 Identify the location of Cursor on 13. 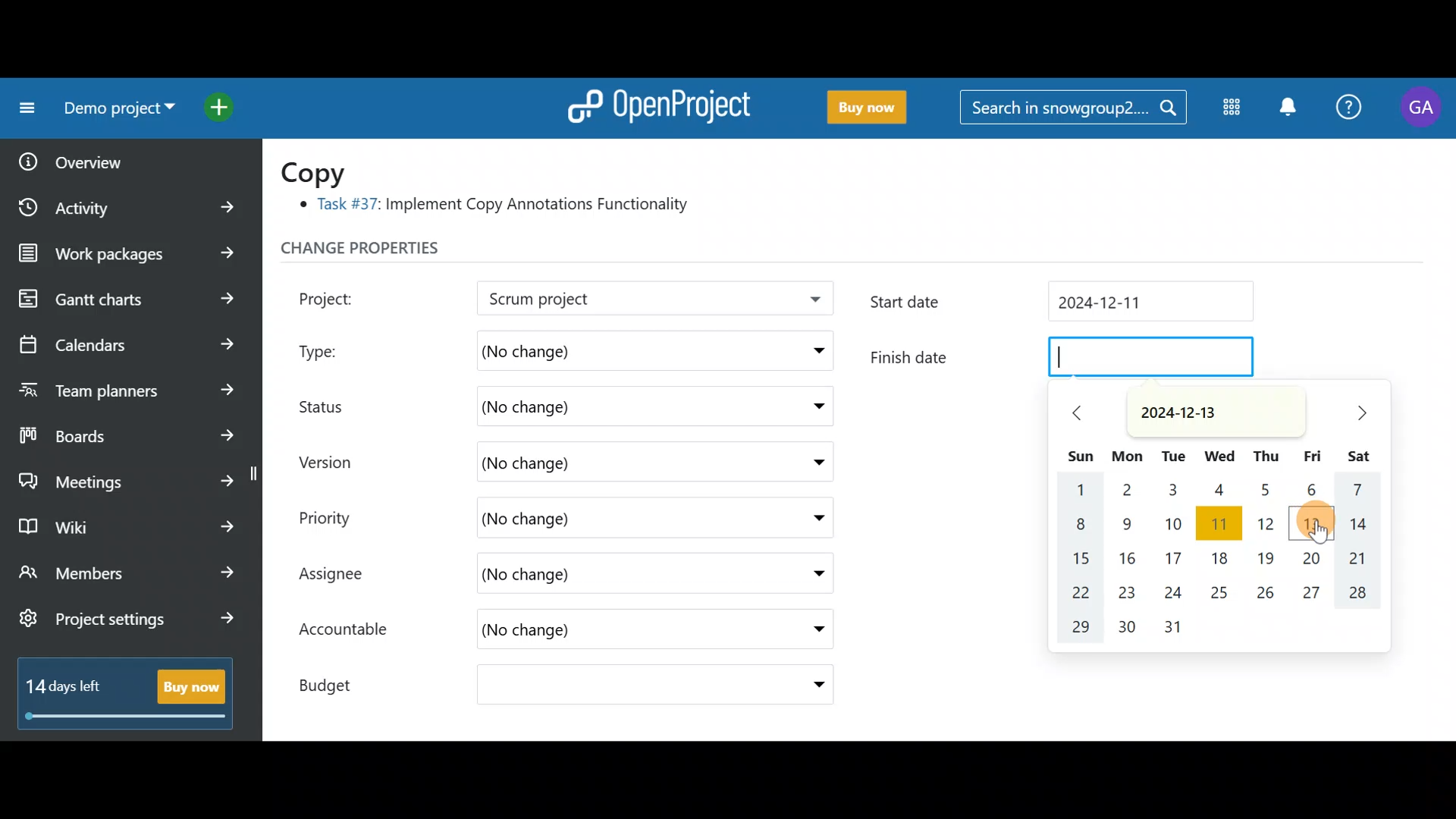
(1316, 521).